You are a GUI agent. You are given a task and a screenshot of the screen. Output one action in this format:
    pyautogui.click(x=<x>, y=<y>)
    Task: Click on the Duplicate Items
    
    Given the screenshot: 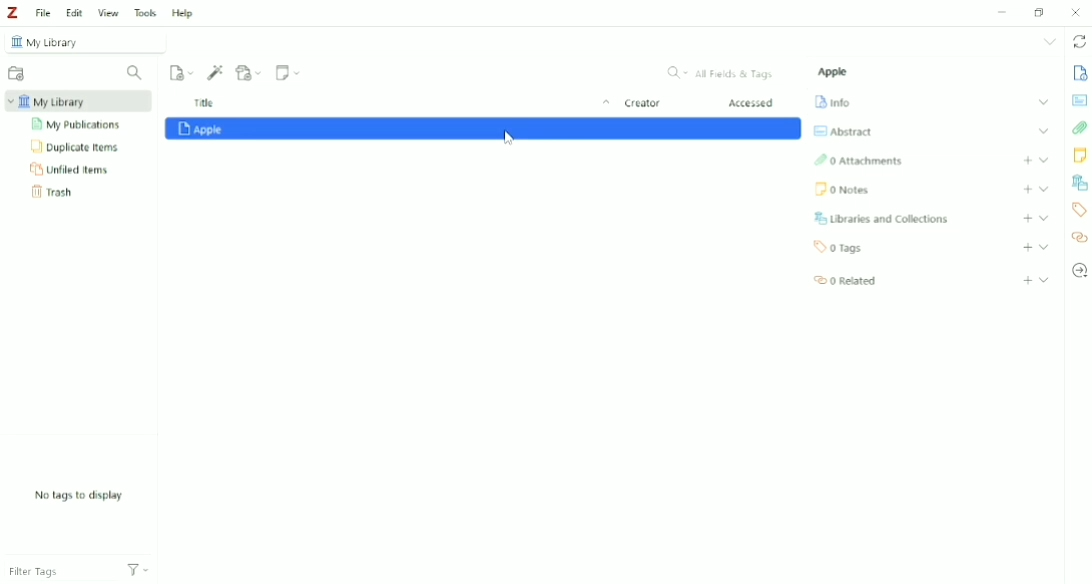 What is the action you would take?
    pyautogui.click(x=77, y=148)
    